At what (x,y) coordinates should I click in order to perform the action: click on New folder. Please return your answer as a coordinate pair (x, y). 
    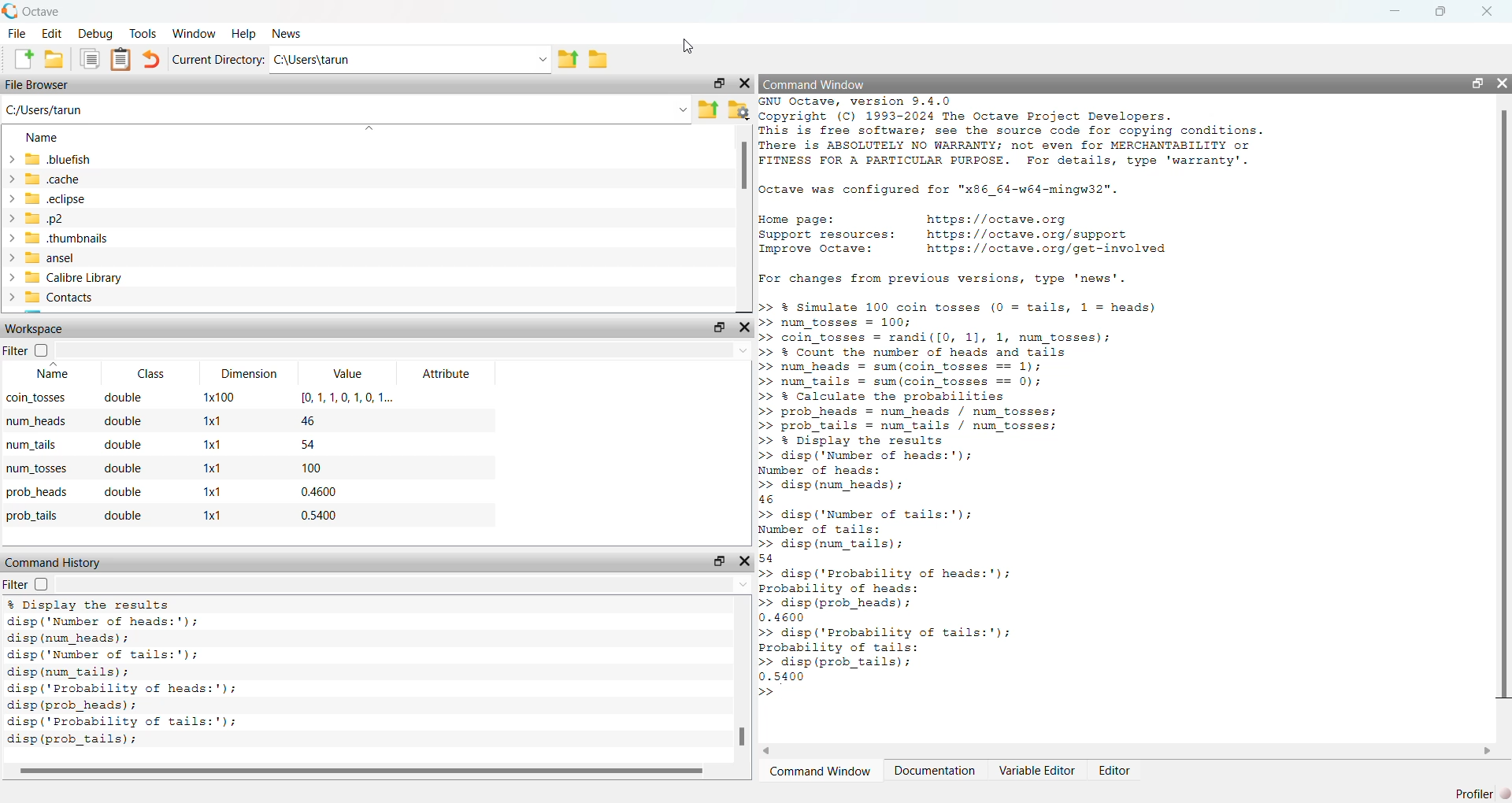
    Looking at the image, I should click on (55, 59).